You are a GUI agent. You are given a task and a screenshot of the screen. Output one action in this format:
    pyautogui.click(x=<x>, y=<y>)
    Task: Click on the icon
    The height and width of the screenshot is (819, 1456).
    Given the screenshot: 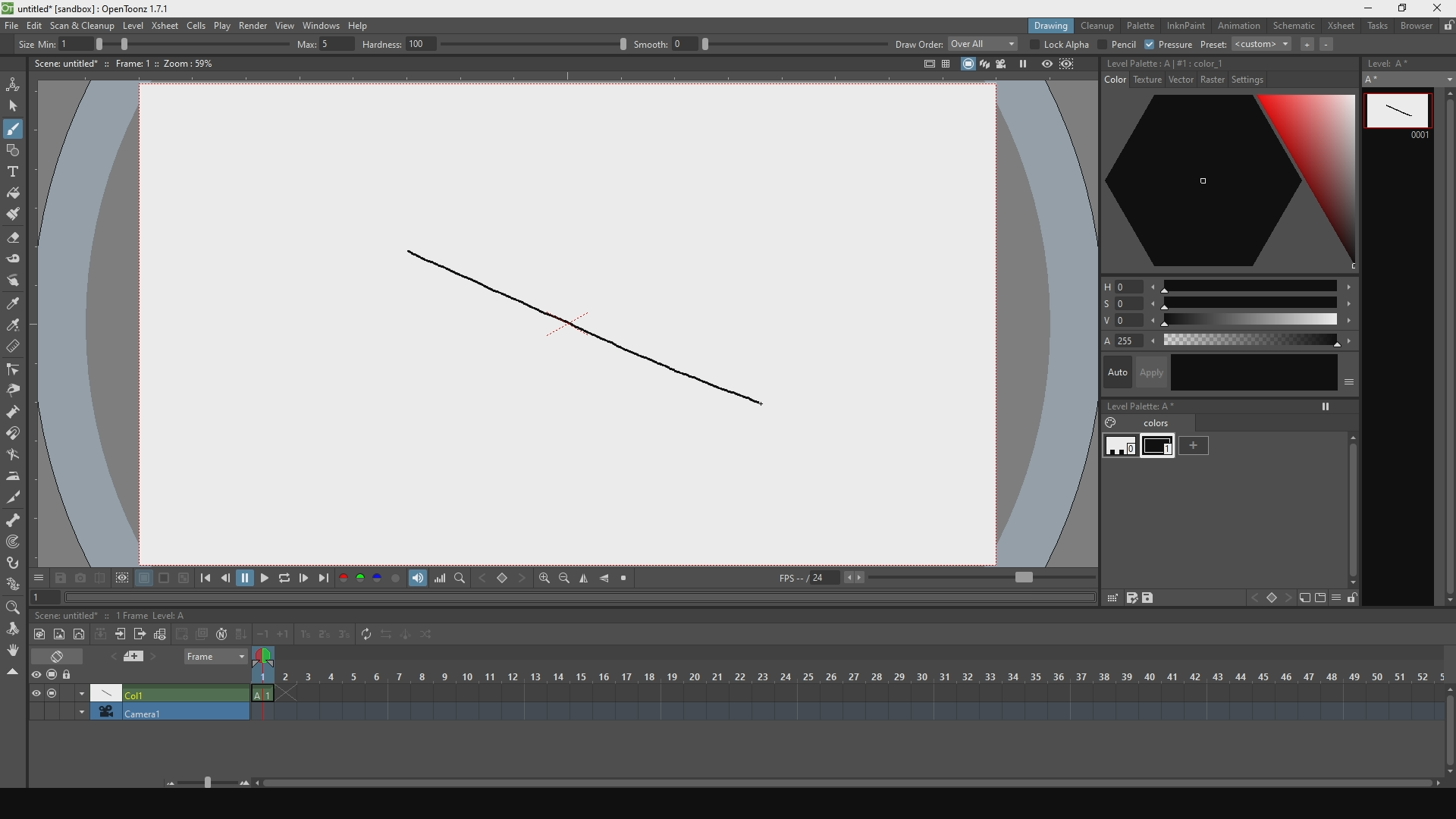 What is the action you would take?
    pyautogui.click(x=924, y=65)
    